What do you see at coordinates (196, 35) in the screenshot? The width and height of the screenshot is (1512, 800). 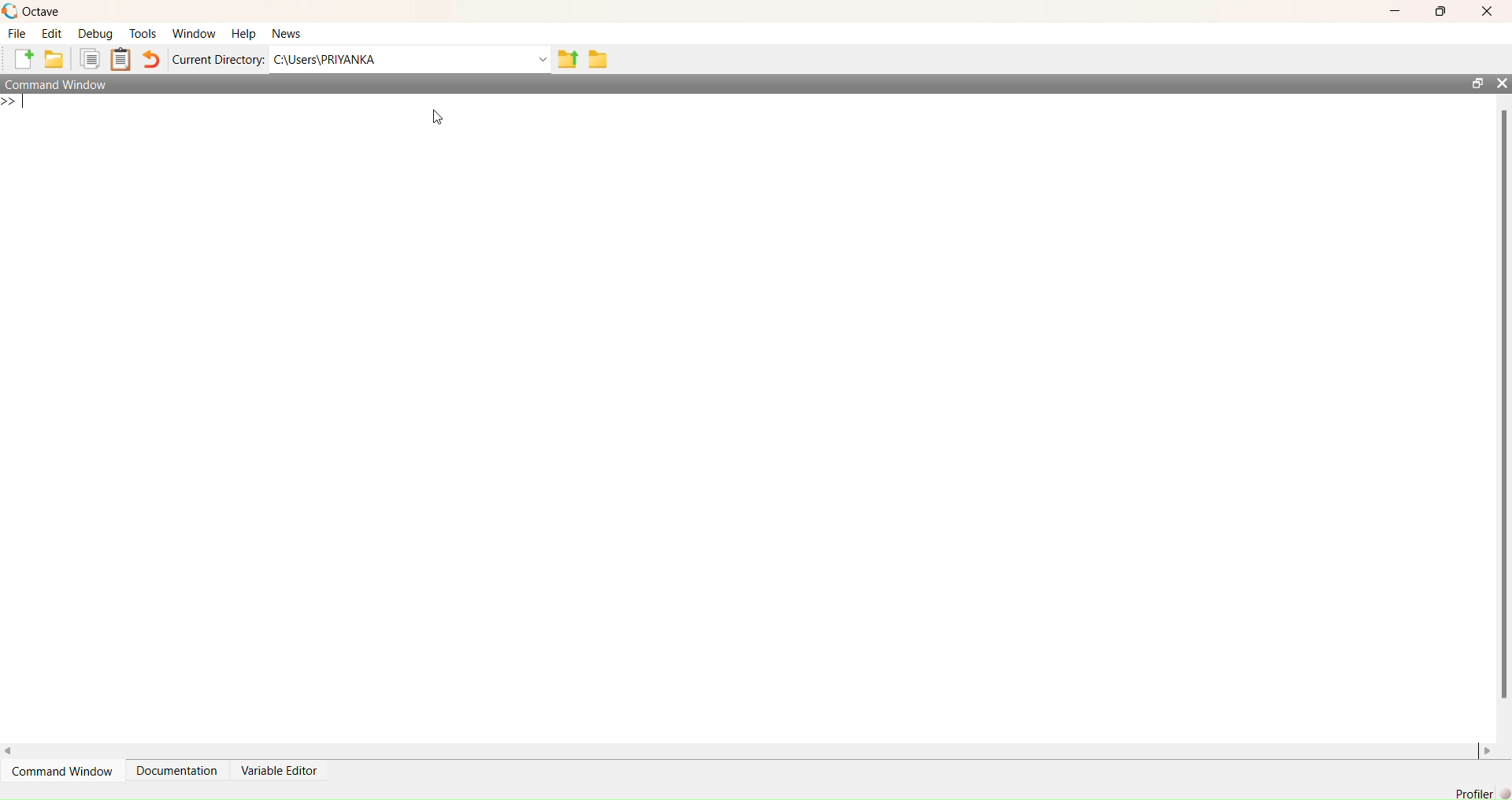 I see `window` at bounding box center [196, 35].